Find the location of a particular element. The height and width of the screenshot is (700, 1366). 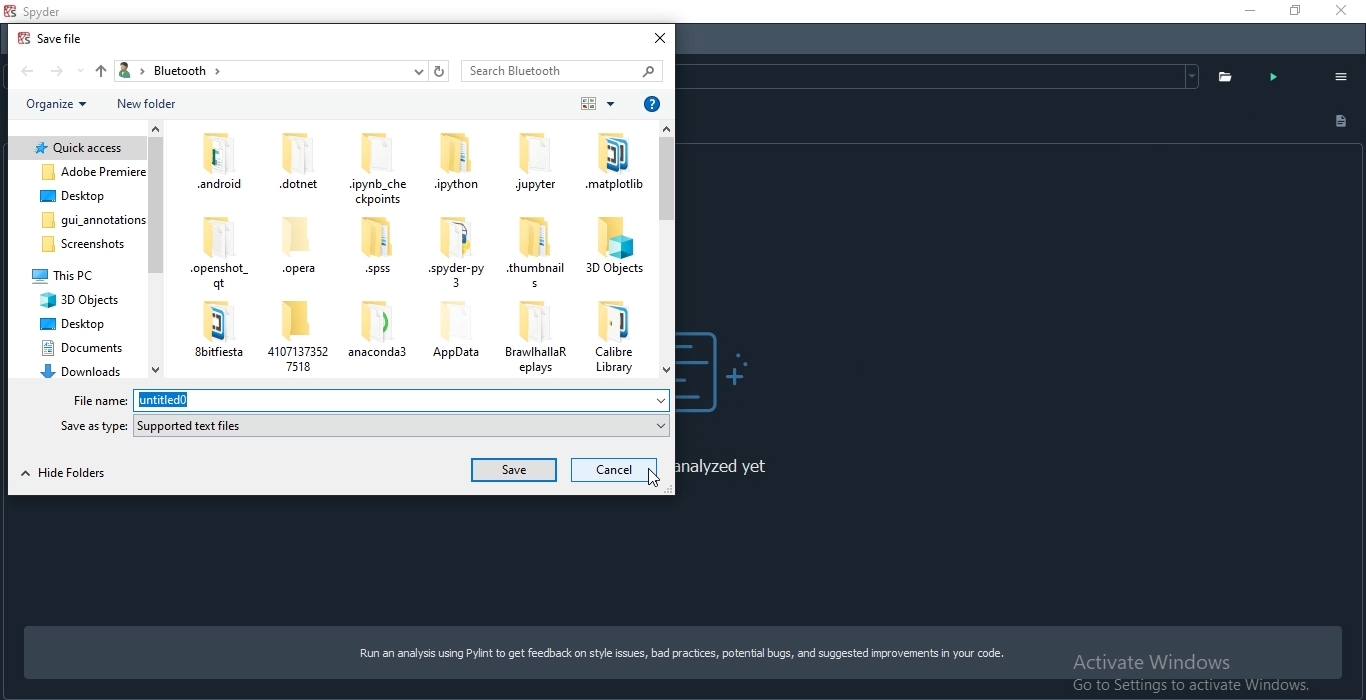

analyse is located at coordinates (1279, 78).